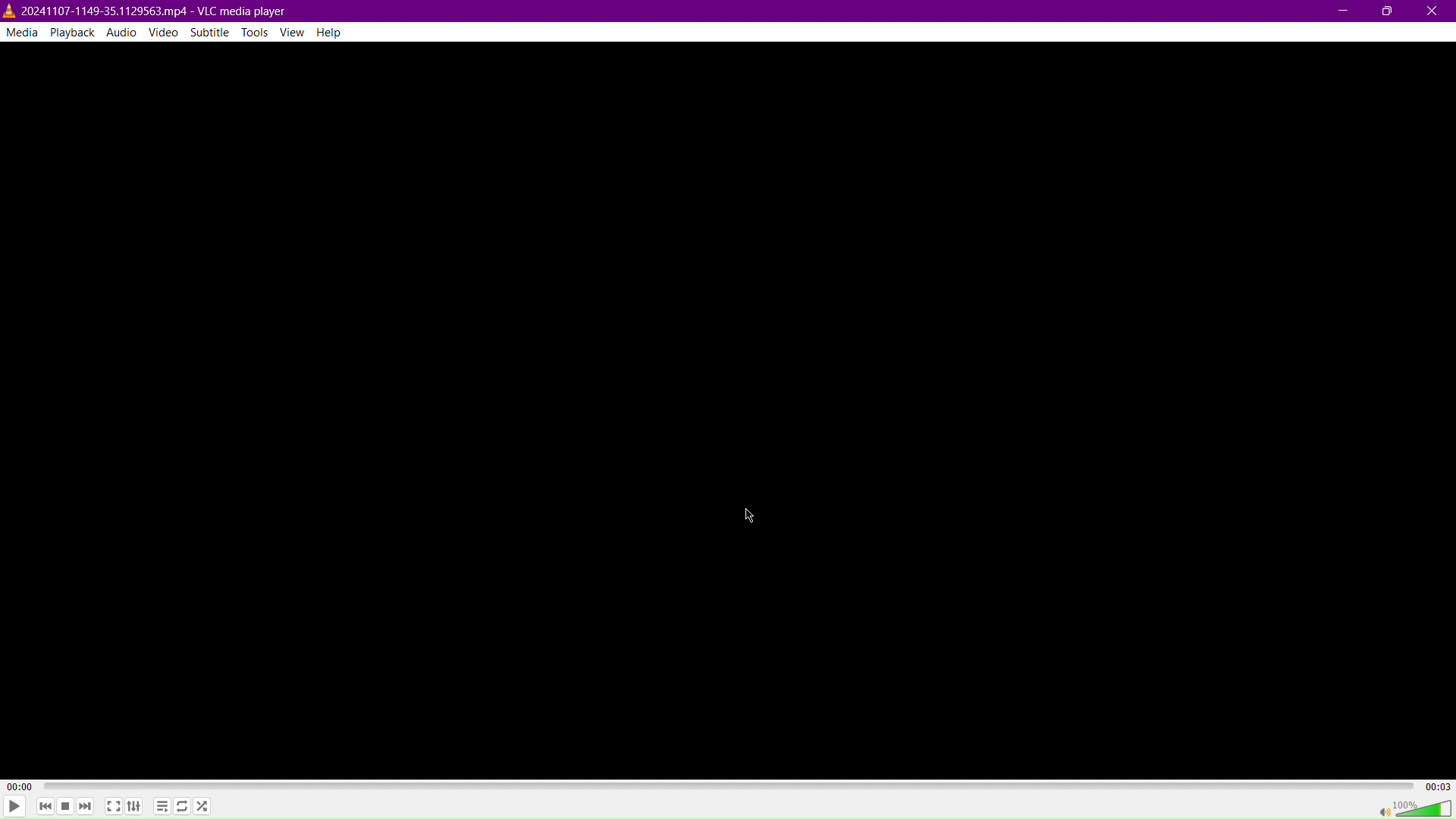 The image size is (1456, 819). I want to click on Close, so click(1434, 11).